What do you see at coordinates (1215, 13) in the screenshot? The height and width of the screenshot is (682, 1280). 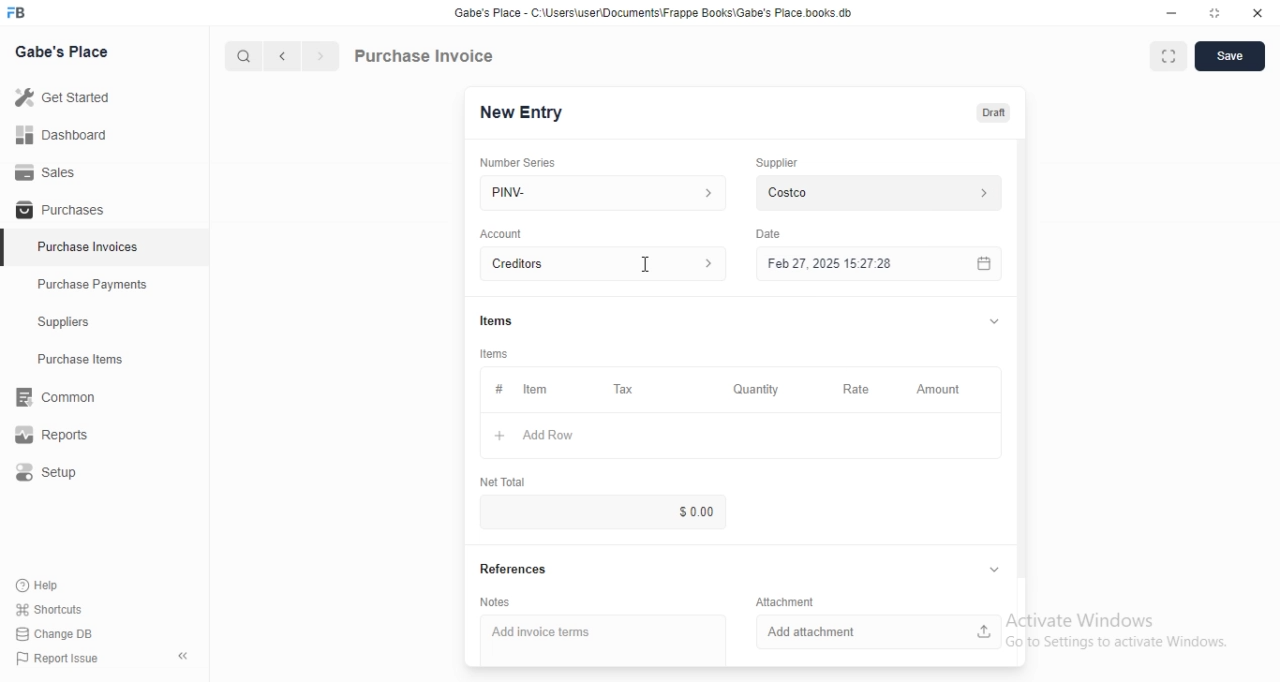 I see `Change dimension` at bounding box center [1215, 13].